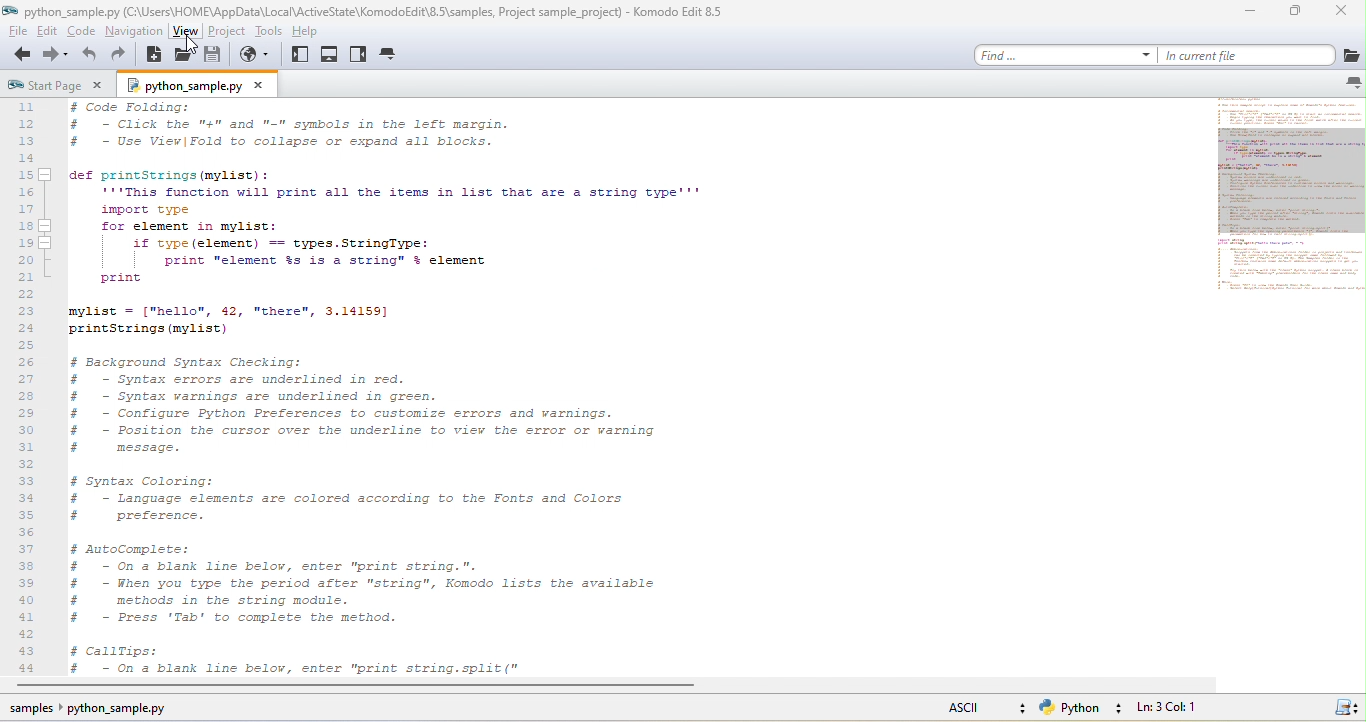 This screenshot has width=1366, height=722. What do you see at coordinates (1350, 709) in the screenshot?
I see `icon` at bounding box center [1350, 709].